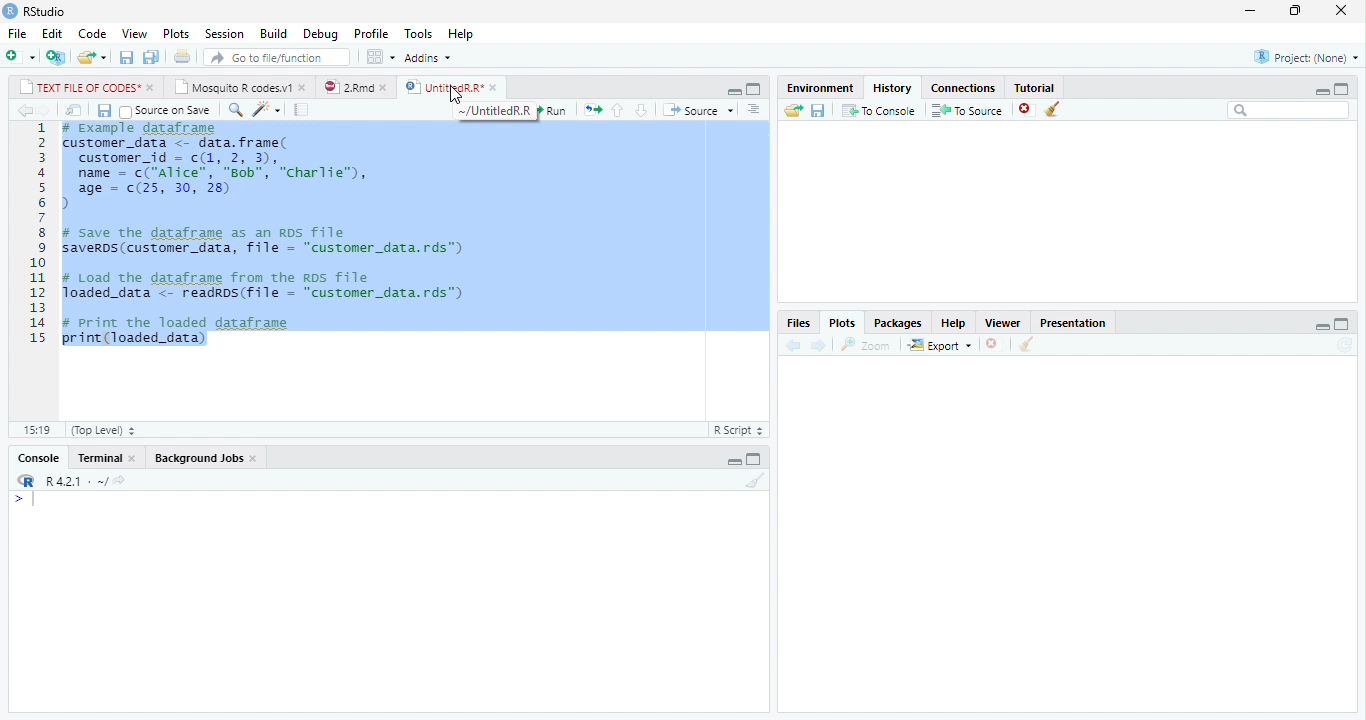  What do you see at coordinates (9, 11) in the screenshot?
I see `logo` at bounding box center [9, 11].